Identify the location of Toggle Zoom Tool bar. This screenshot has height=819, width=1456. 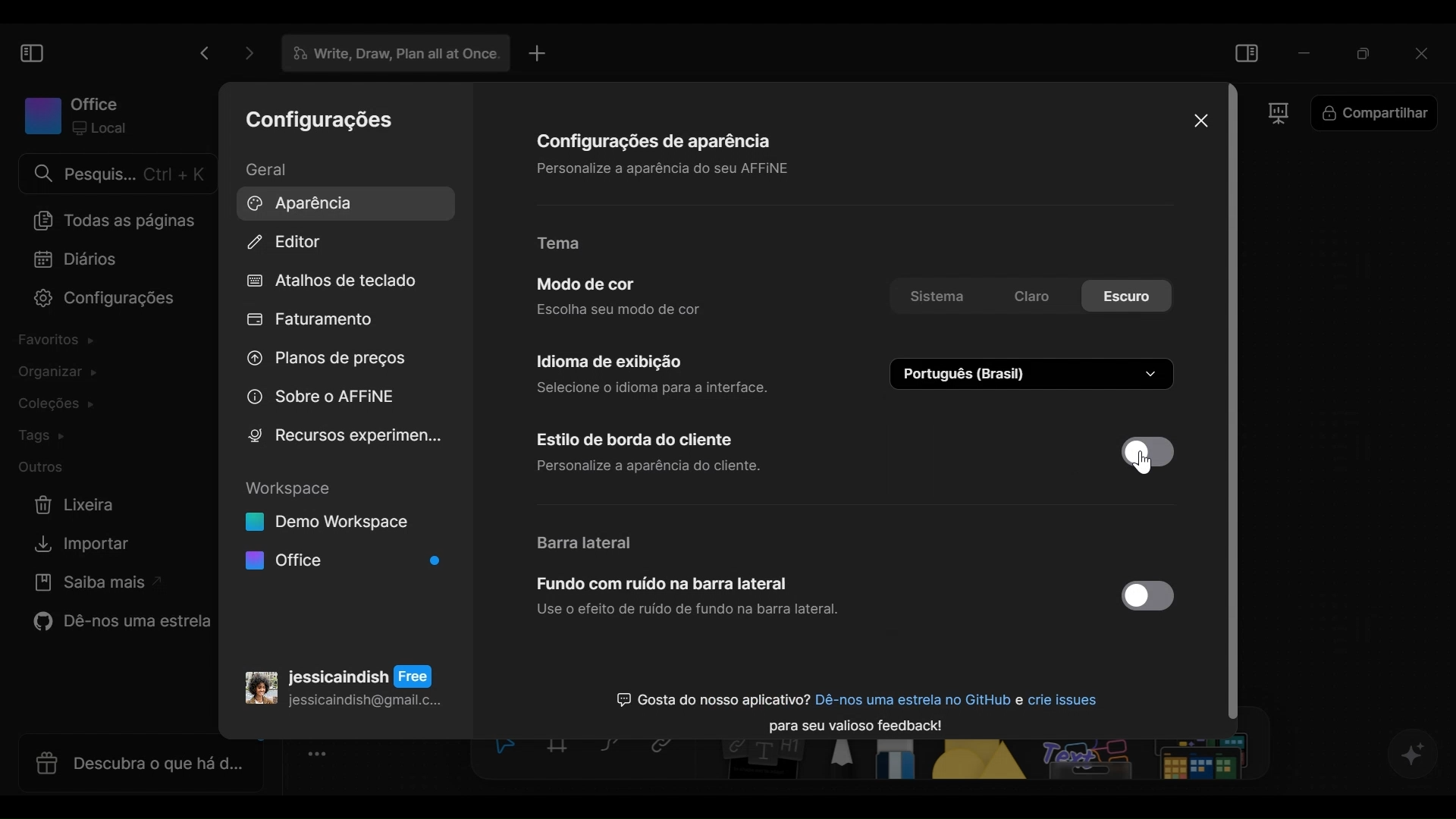
(322, 755).